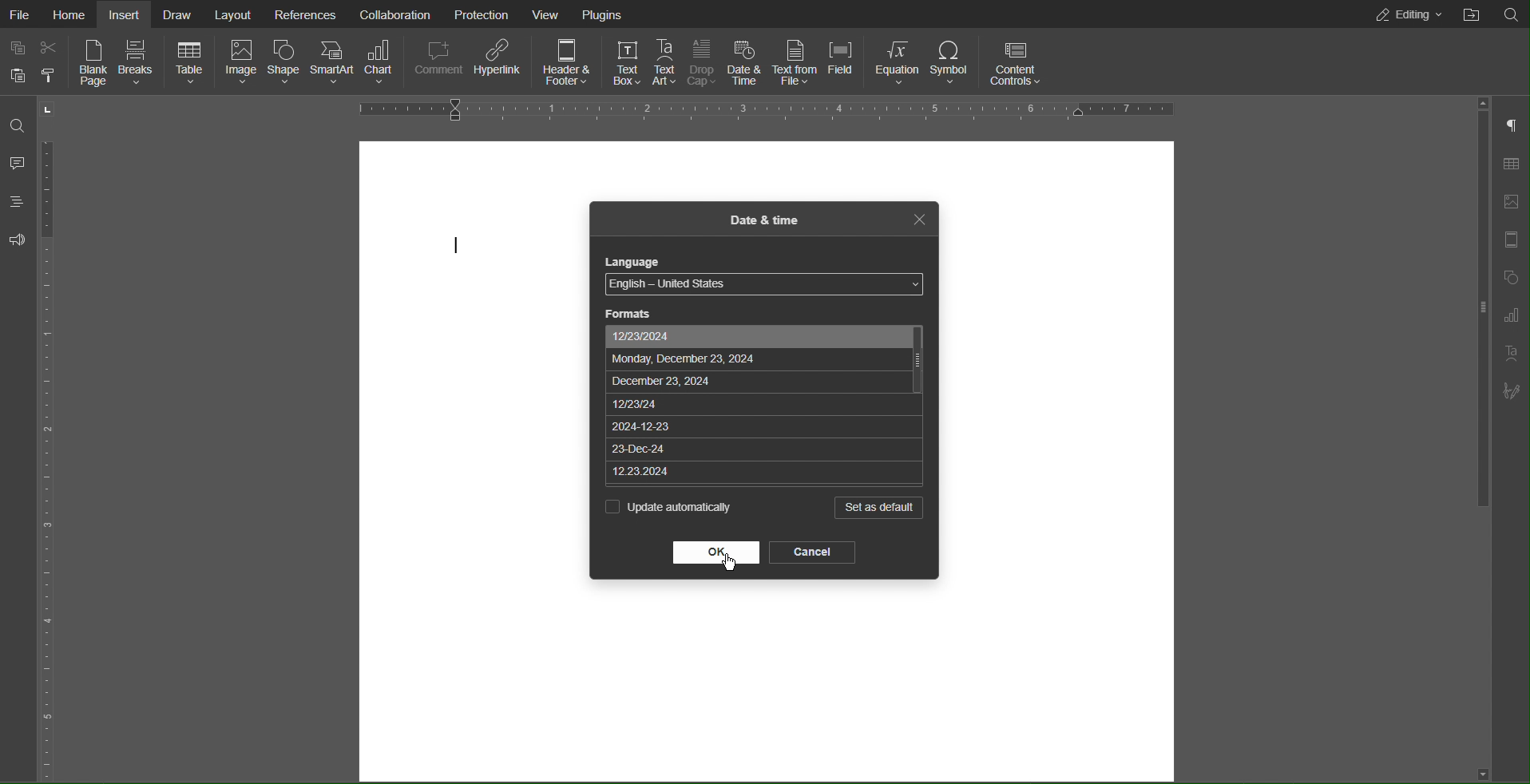  I want to click on Image Settings, so click(1514, 202).